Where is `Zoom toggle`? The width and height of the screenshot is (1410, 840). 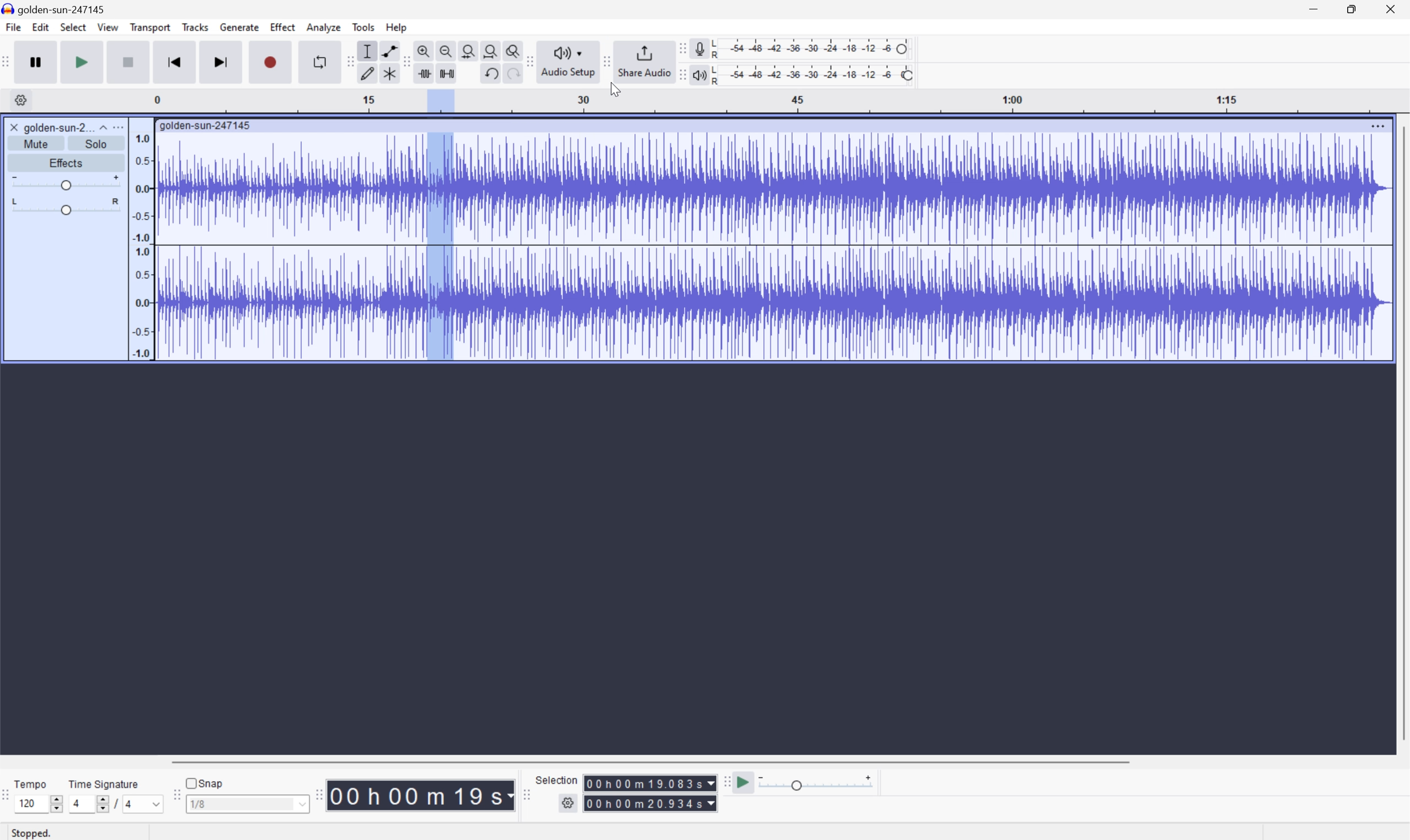 Zoom toggle is located at coordinates (514, 49).